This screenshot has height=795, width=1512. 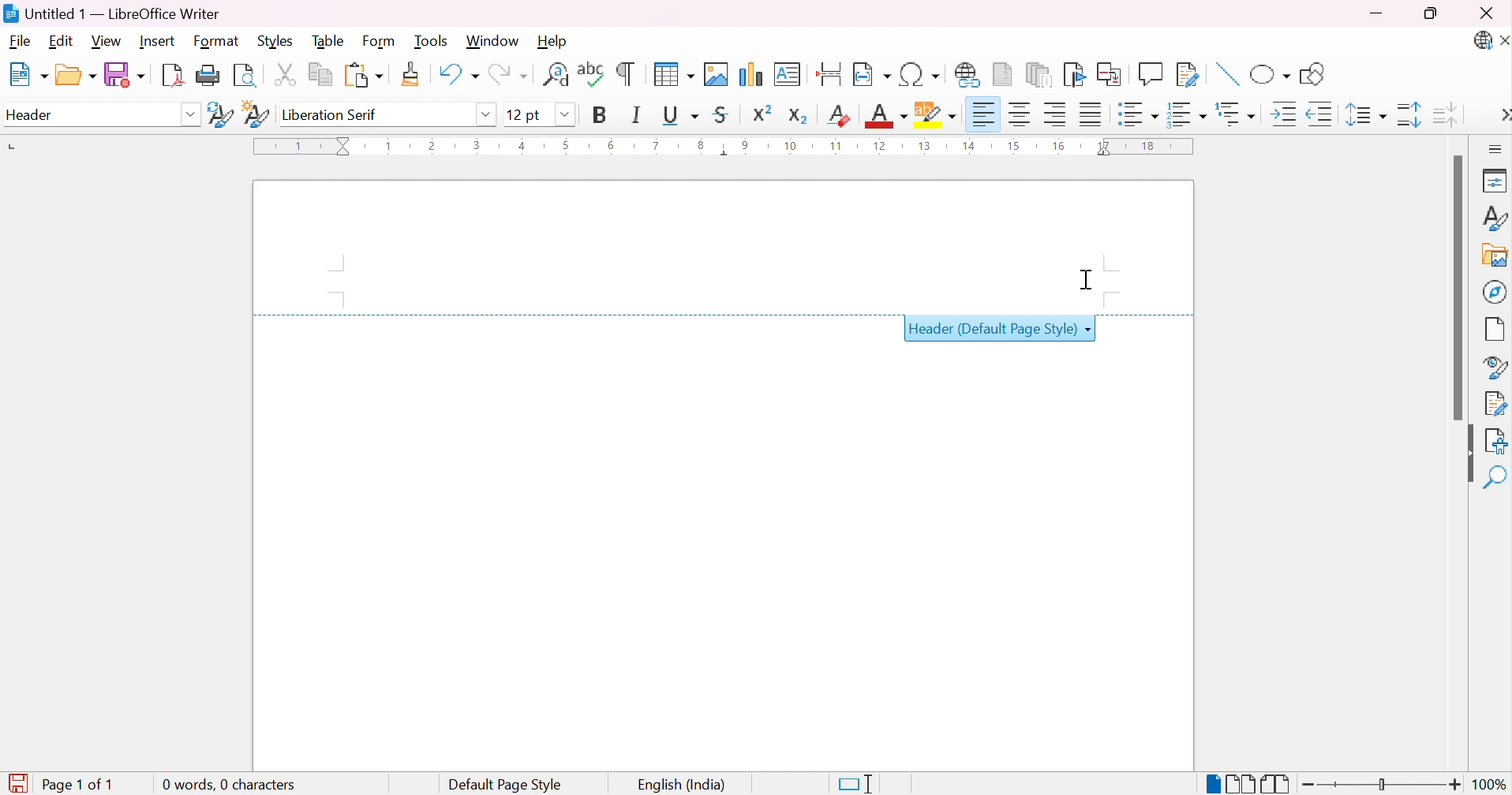 I want to click on Font color, so click(x=886, y=118).